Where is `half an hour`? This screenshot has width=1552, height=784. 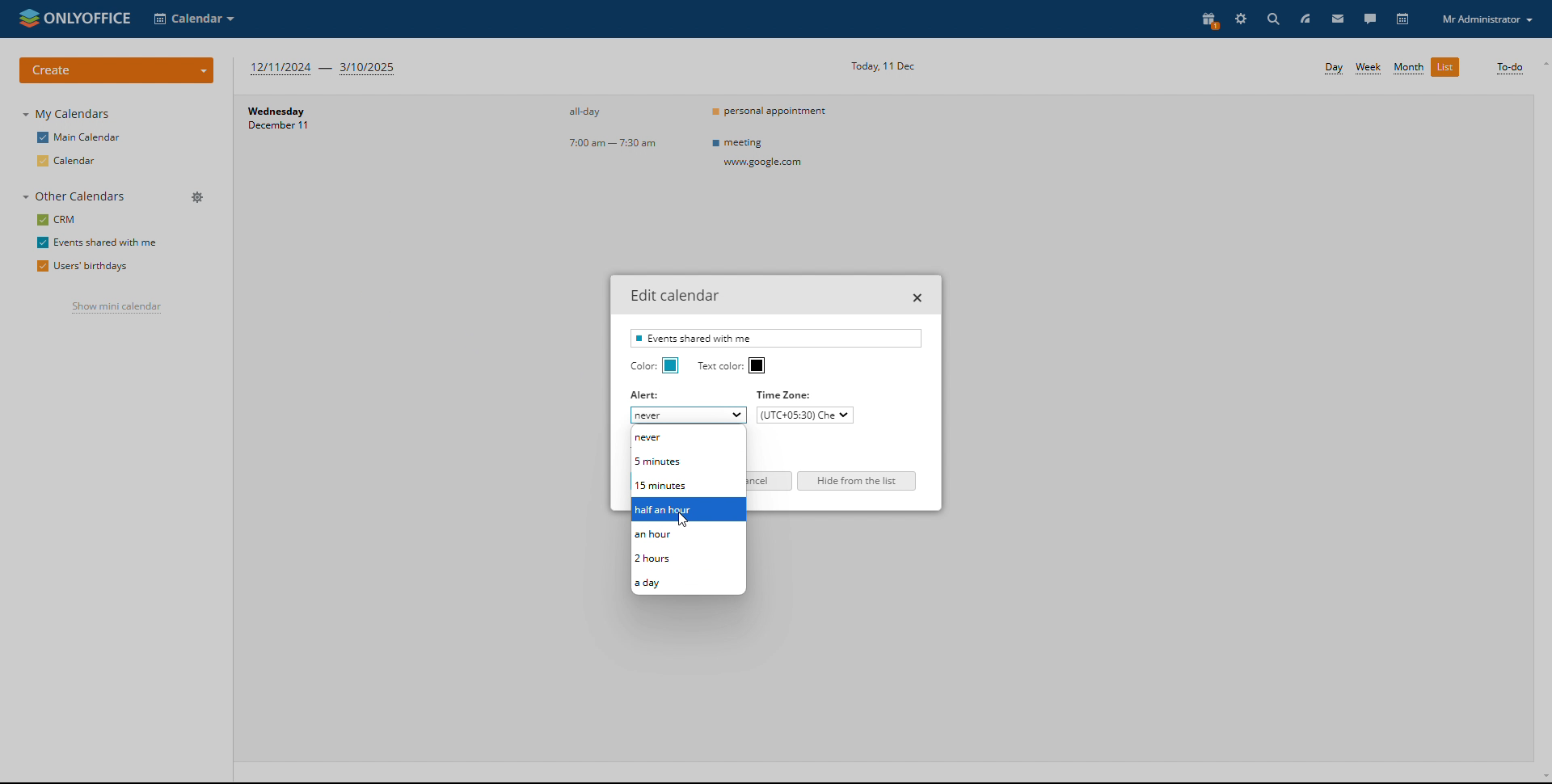
half an hour is located at coordinates (689, 511).